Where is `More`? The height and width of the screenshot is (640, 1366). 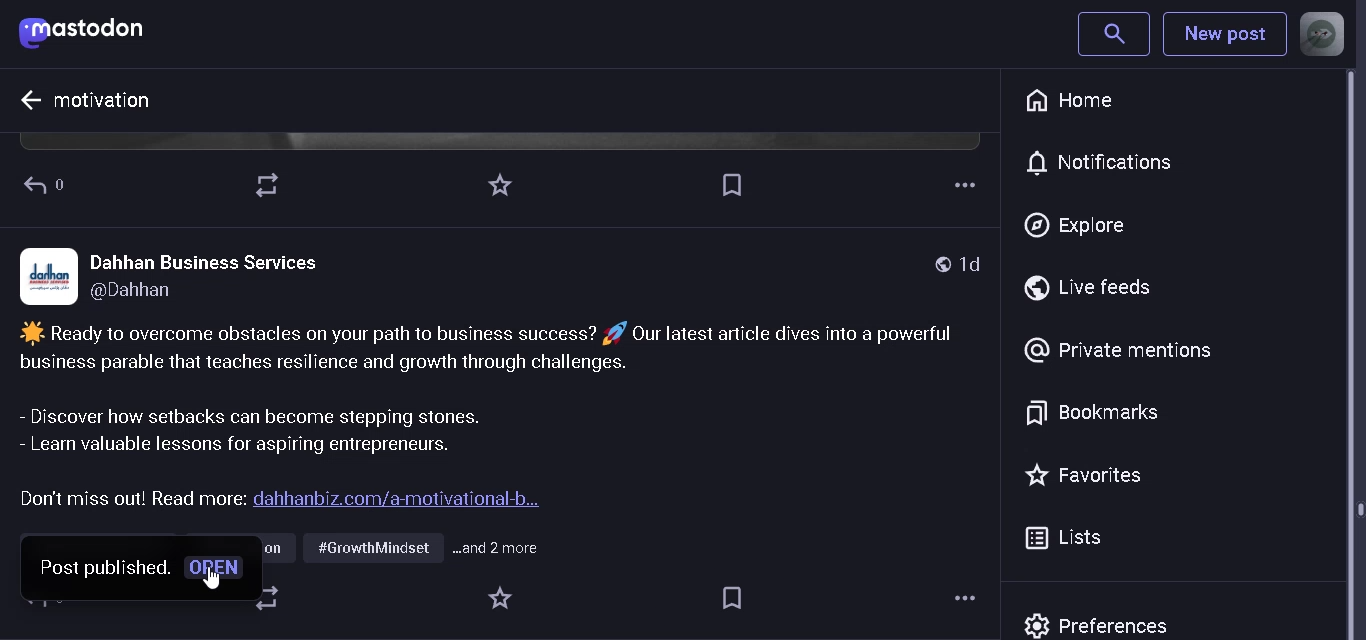 More is located at coordinates (959, 186).